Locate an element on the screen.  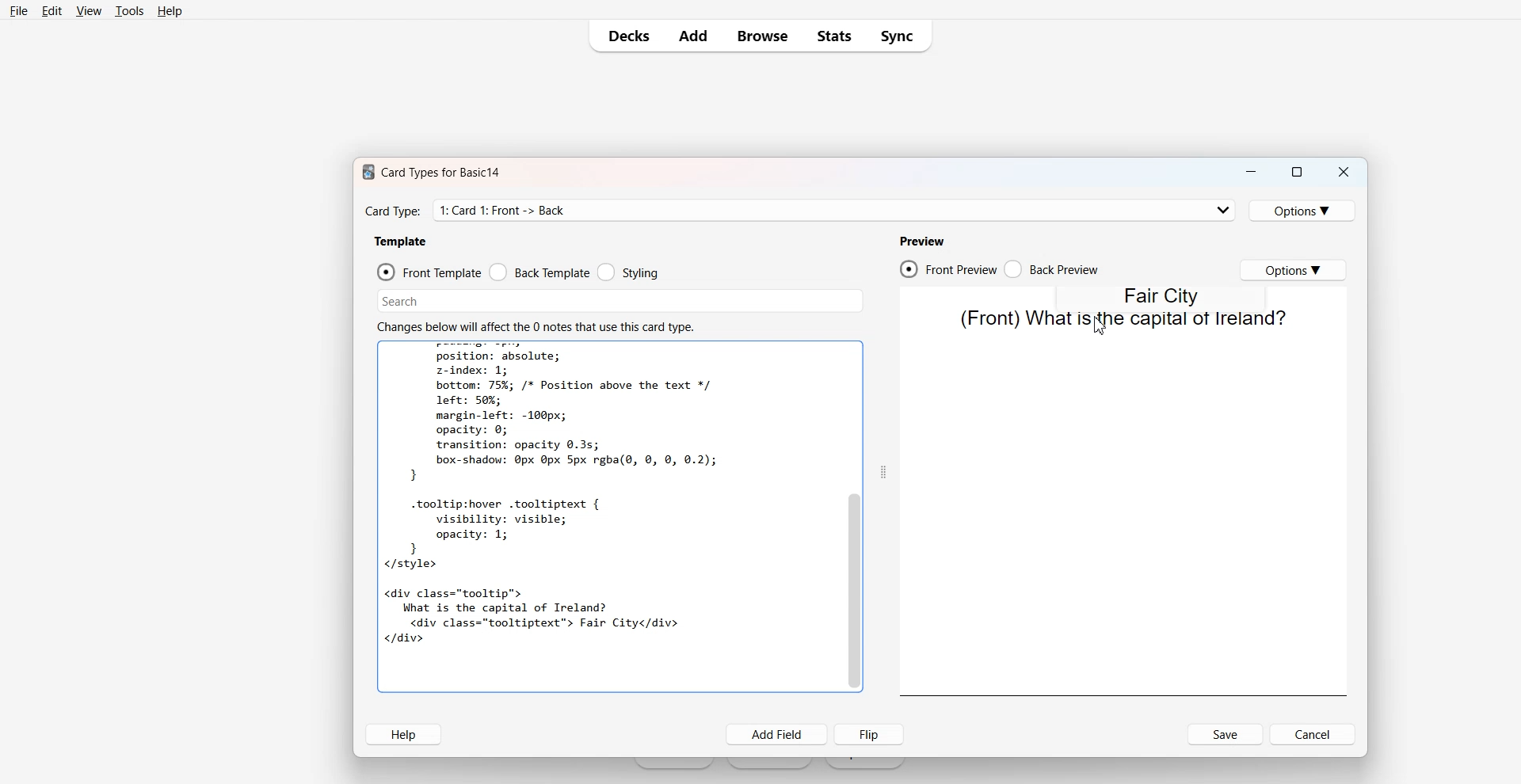
Card Type is located at coordinates (834, 211).